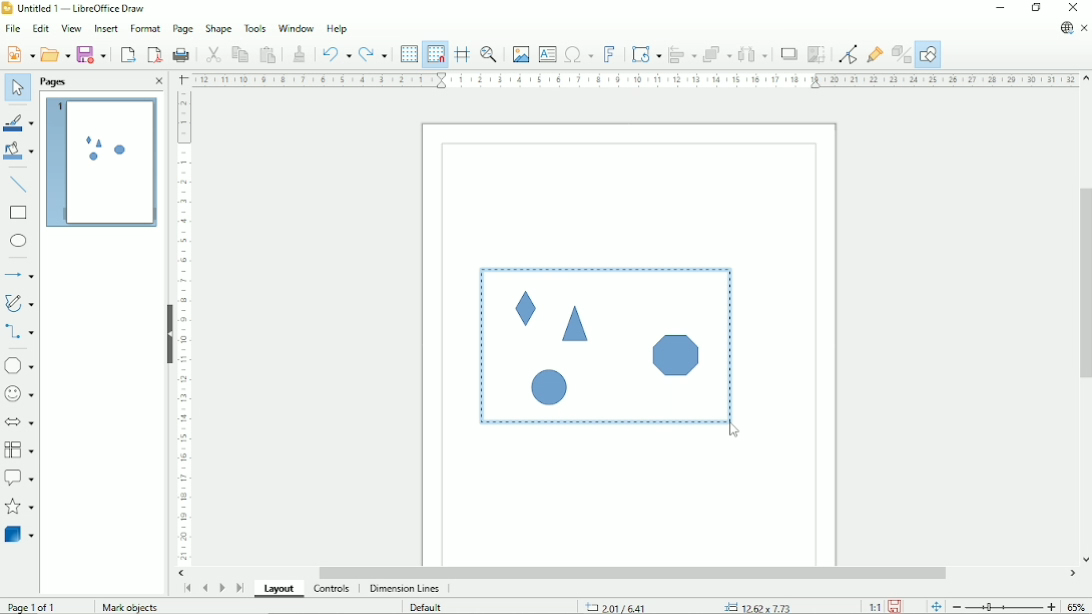  What do you see at coordinates (218, 28) in the screenshot?
I see `Shape` at bounding box center [218, 28].